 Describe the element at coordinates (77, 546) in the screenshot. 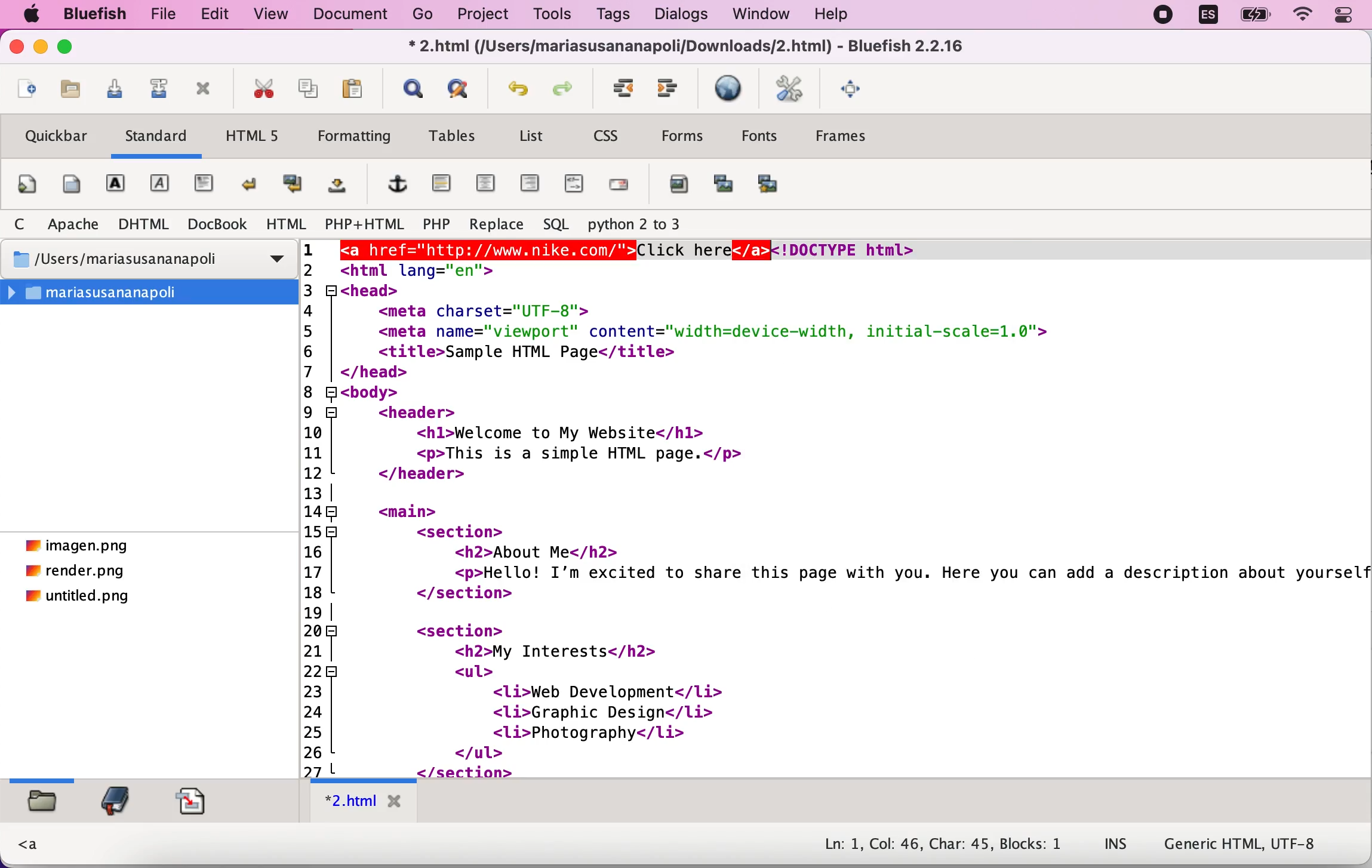

I see `imagen.png` at that location.